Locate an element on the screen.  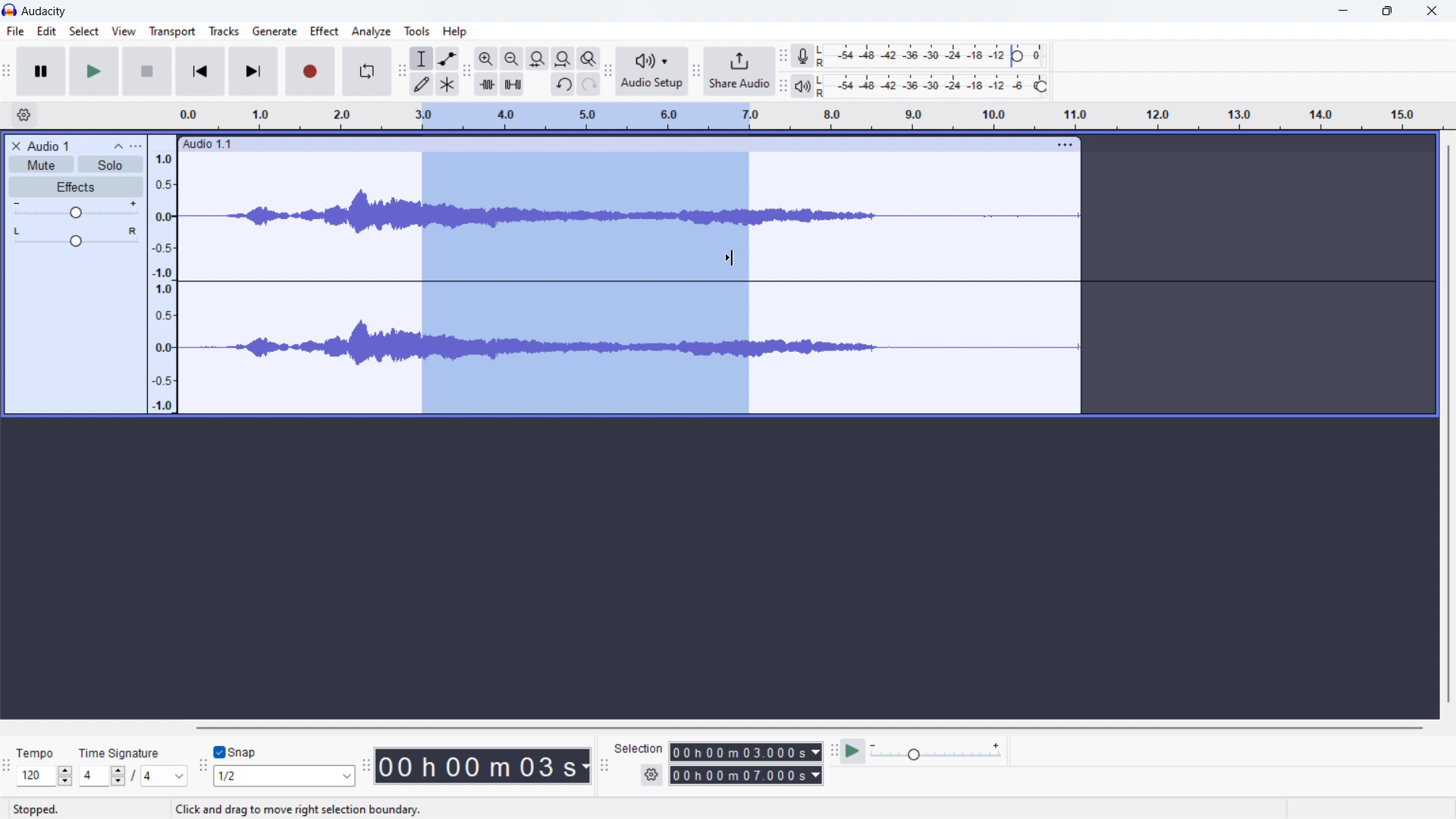
analyze is located at coordinates (372, 31).